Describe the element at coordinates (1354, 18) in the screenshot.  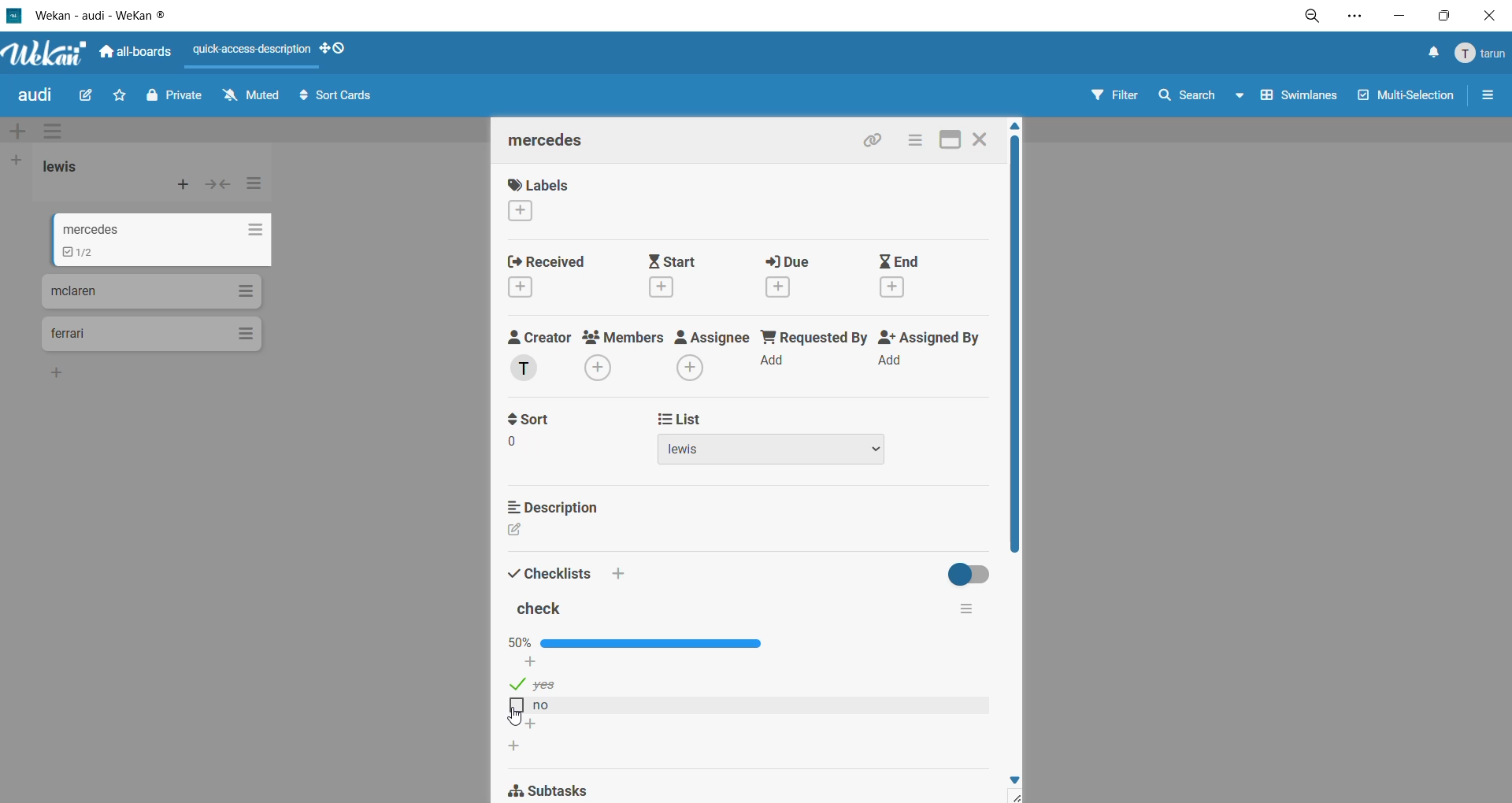
I see `settings` at that location.